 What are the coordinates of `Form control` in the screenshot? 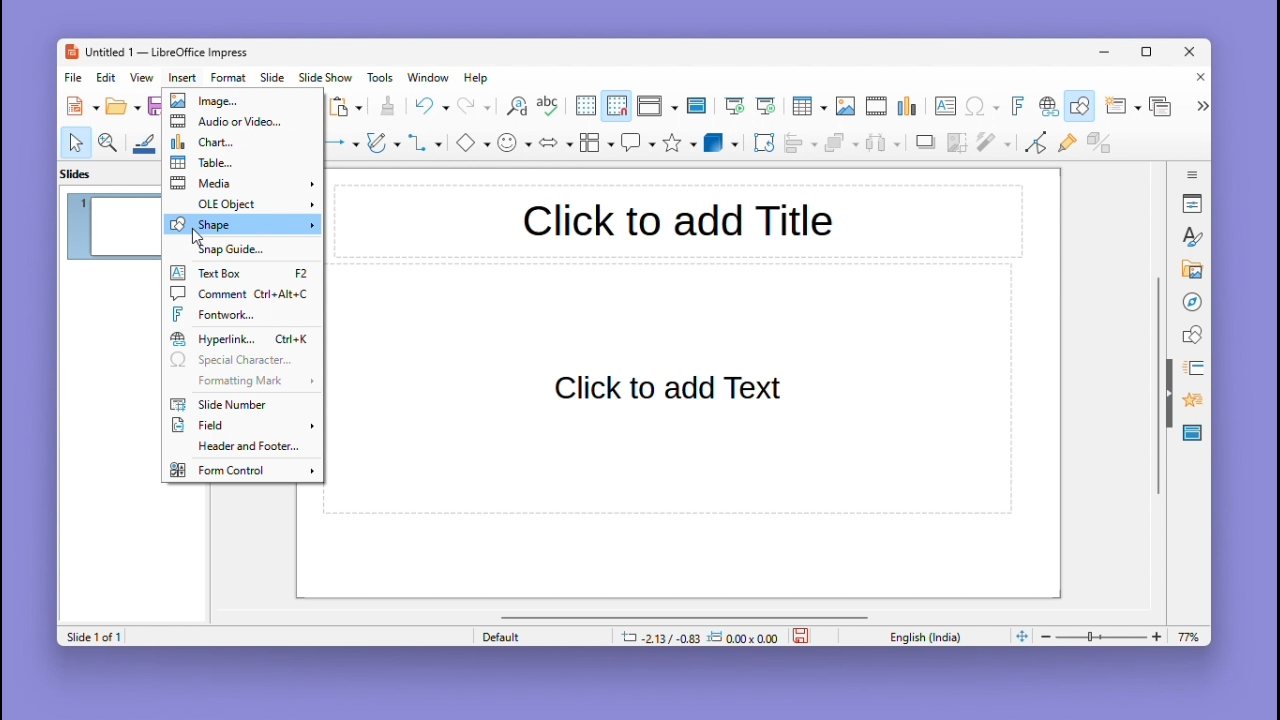 It's located at (241, 469).